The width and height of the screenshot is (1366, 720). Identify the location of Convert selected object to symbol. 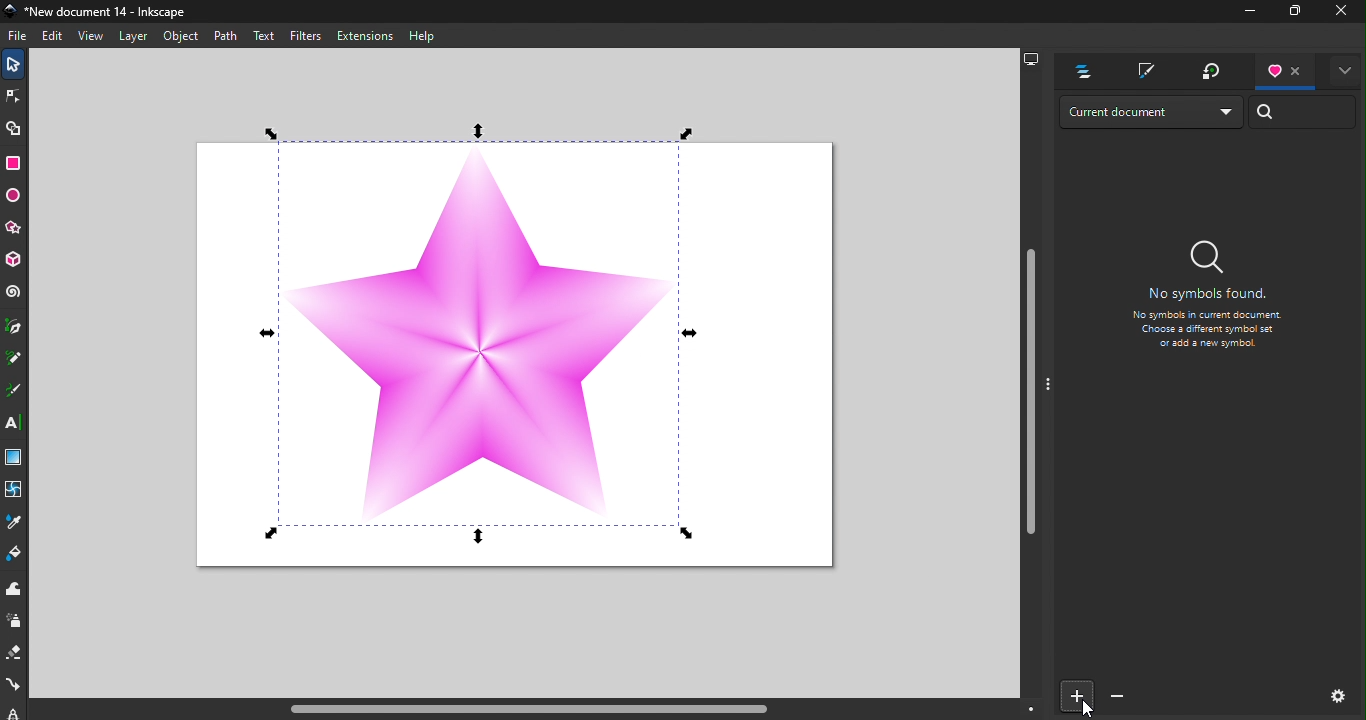
(1075, 695).